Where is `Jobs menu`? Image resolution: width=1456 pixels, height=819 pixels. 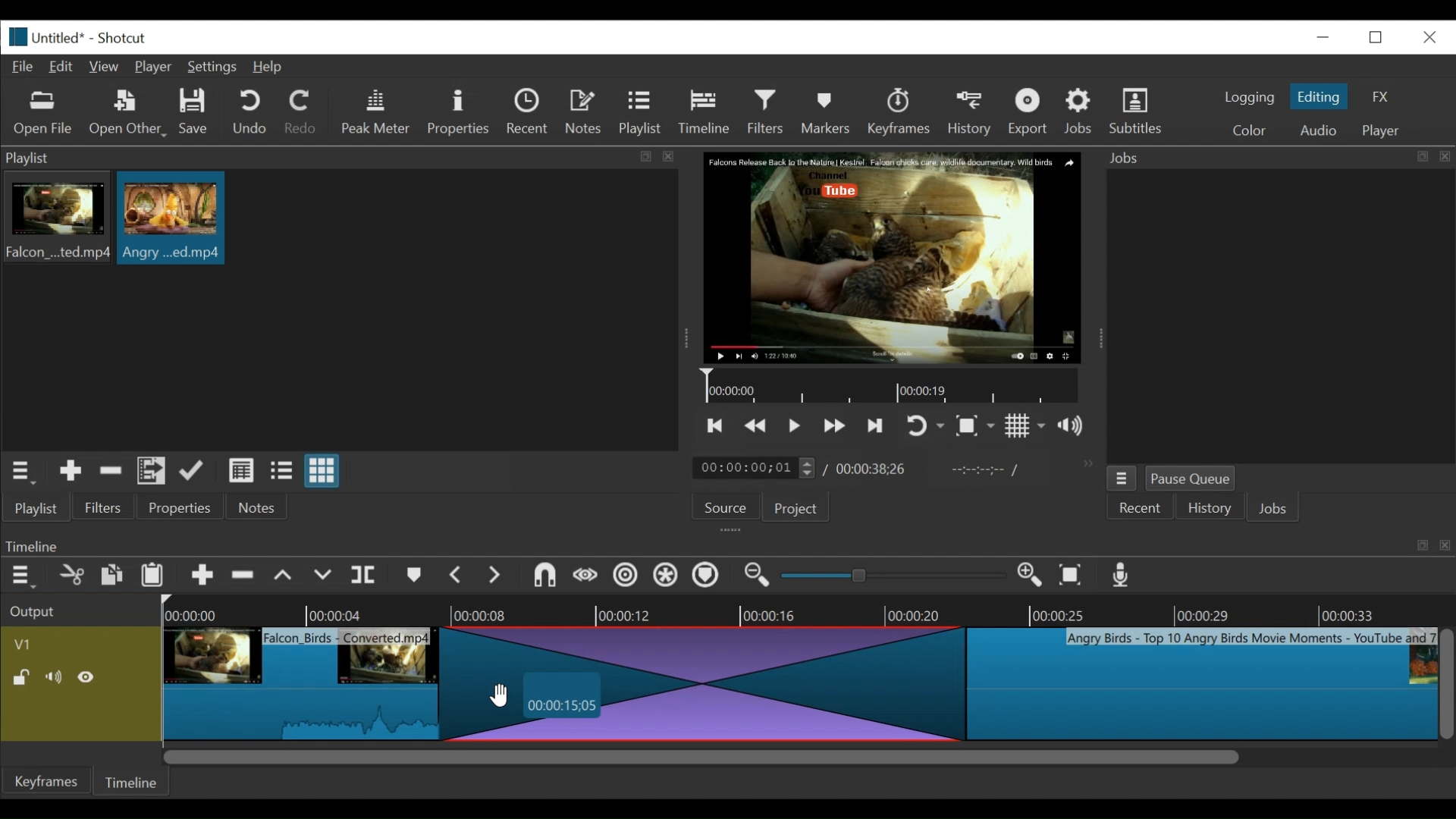
Jobs menu is located at coordinates (1269, 156).